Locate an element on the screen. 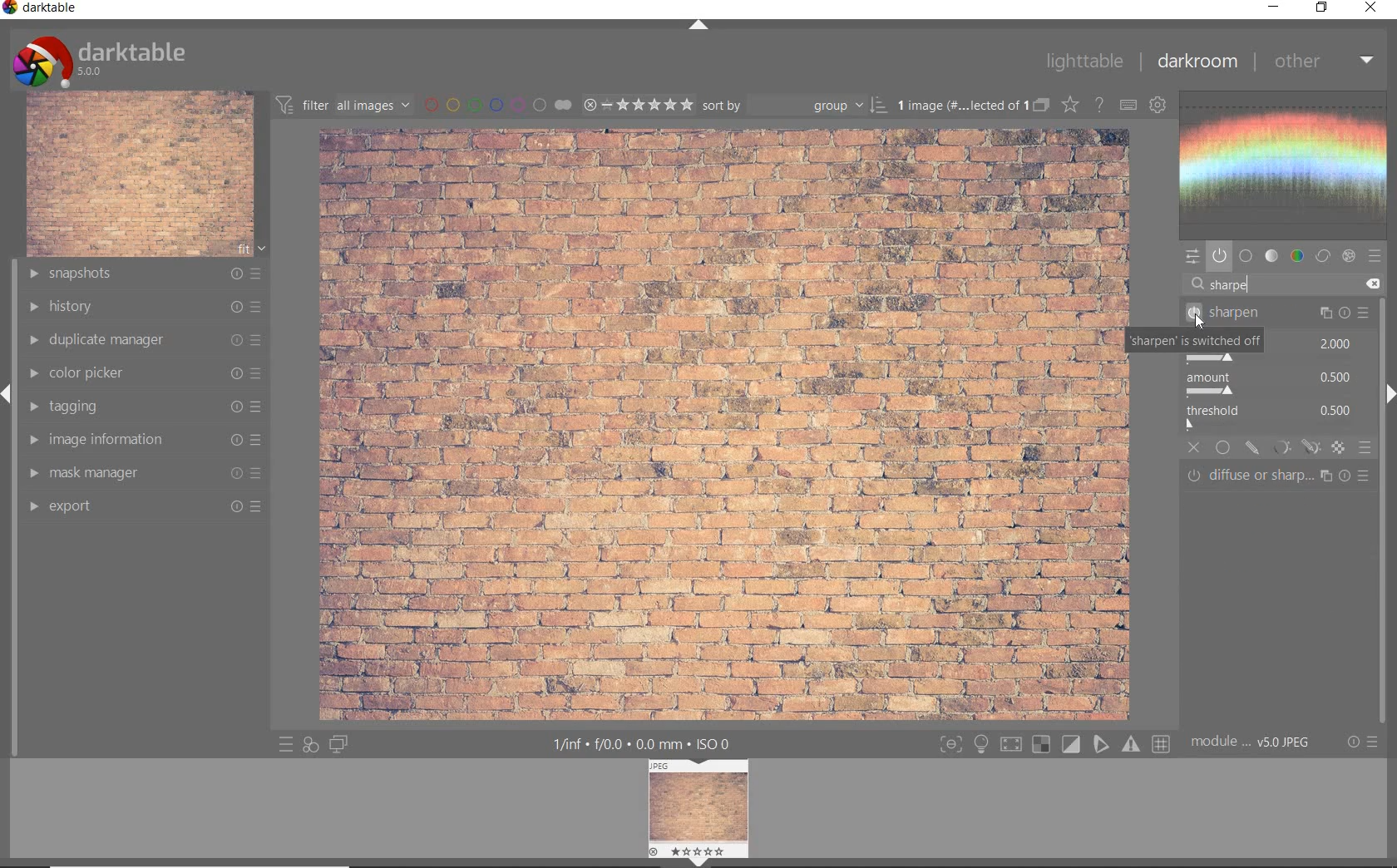 This screenshot has height=868, width=1397. 1 image (# ... lected of is located at coordinates (959, 104).